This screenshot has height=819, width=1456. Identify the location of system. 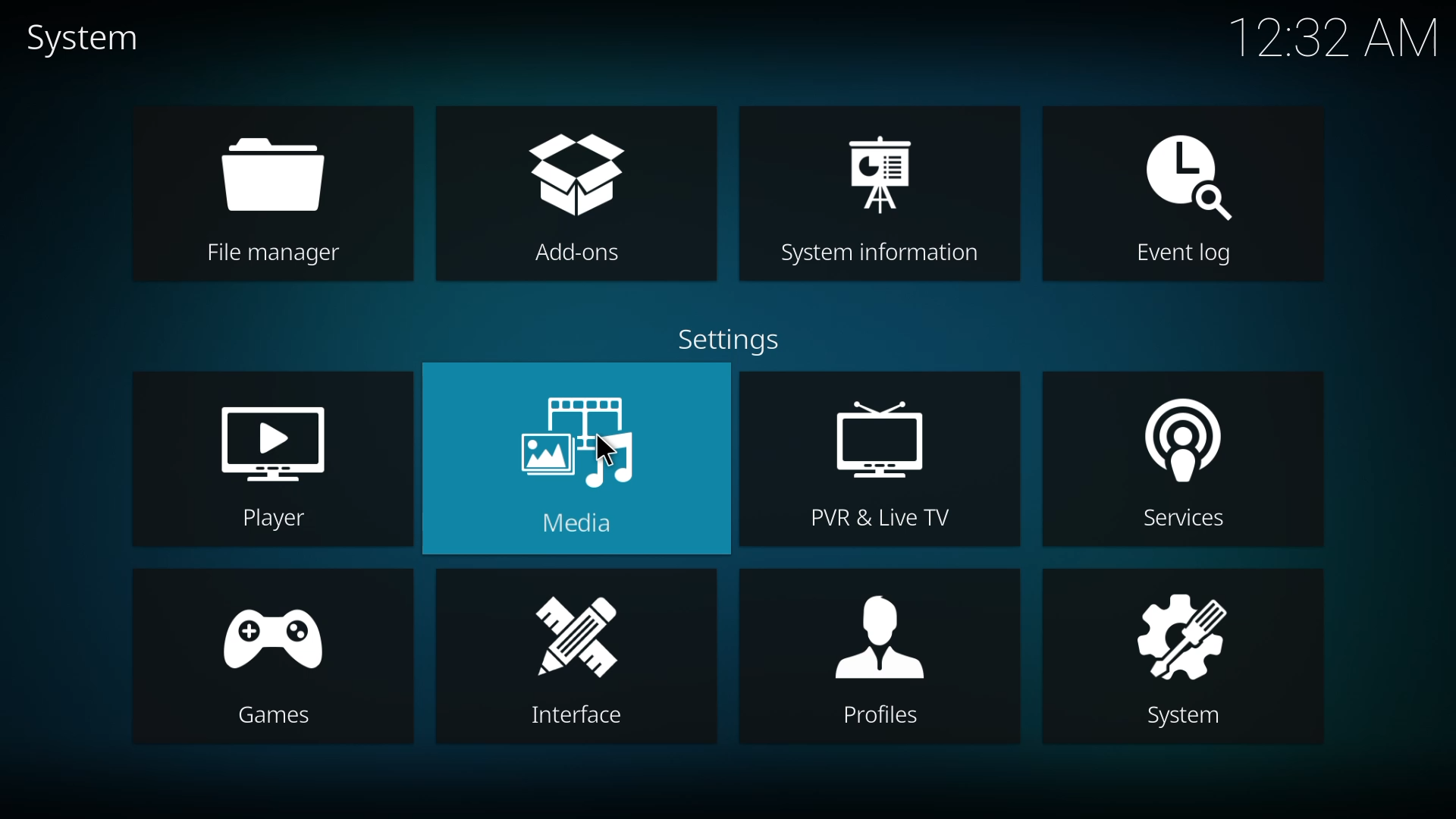
(1184, 657).